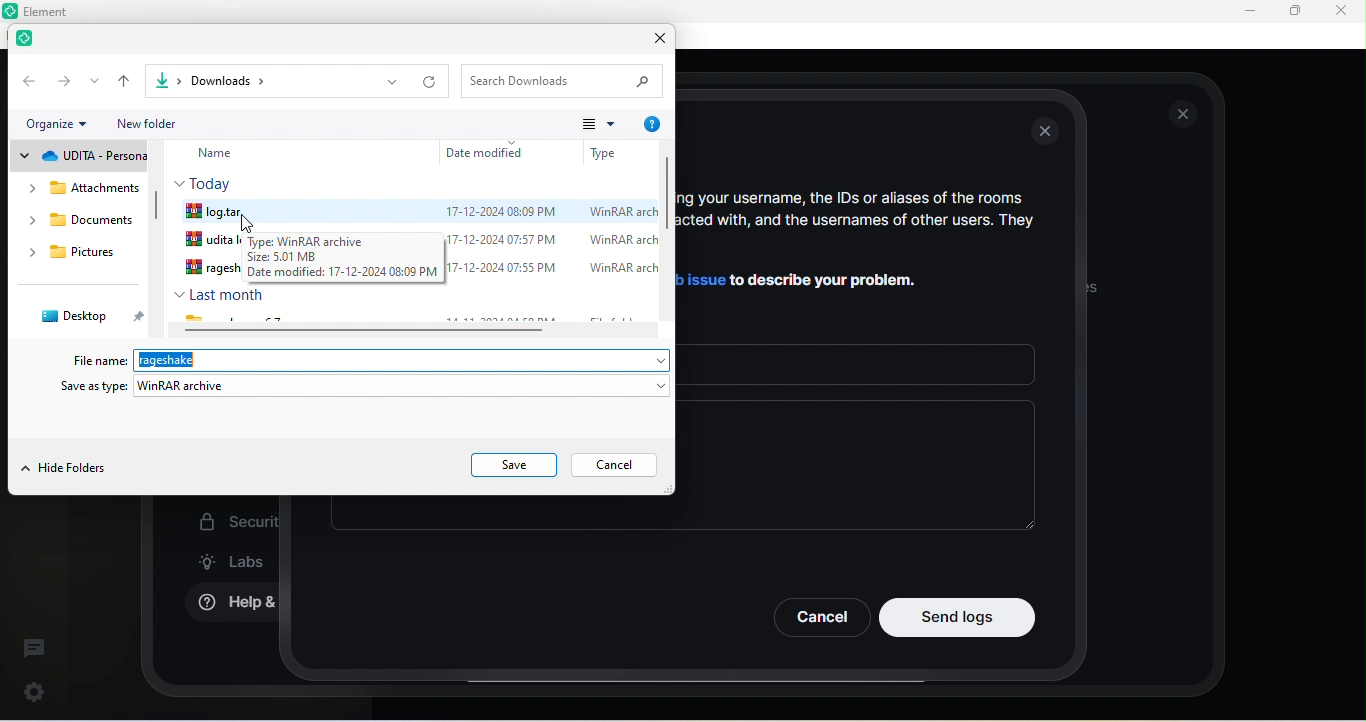  I want to click on Send Logs, so click(958, 617).